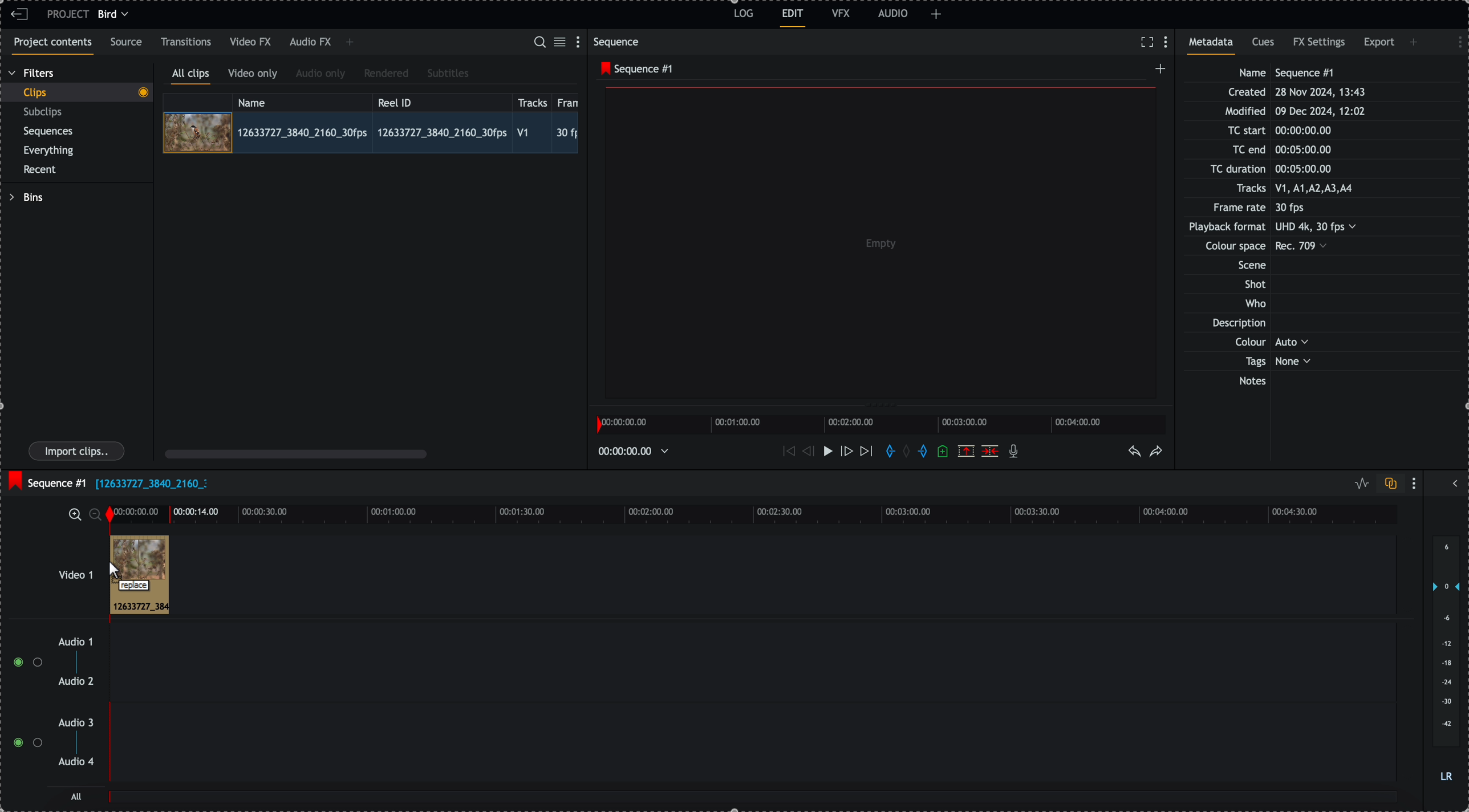 Image resolution: width=1469 pixels, height=812 pixels. I want to click on , so click(47, 152).